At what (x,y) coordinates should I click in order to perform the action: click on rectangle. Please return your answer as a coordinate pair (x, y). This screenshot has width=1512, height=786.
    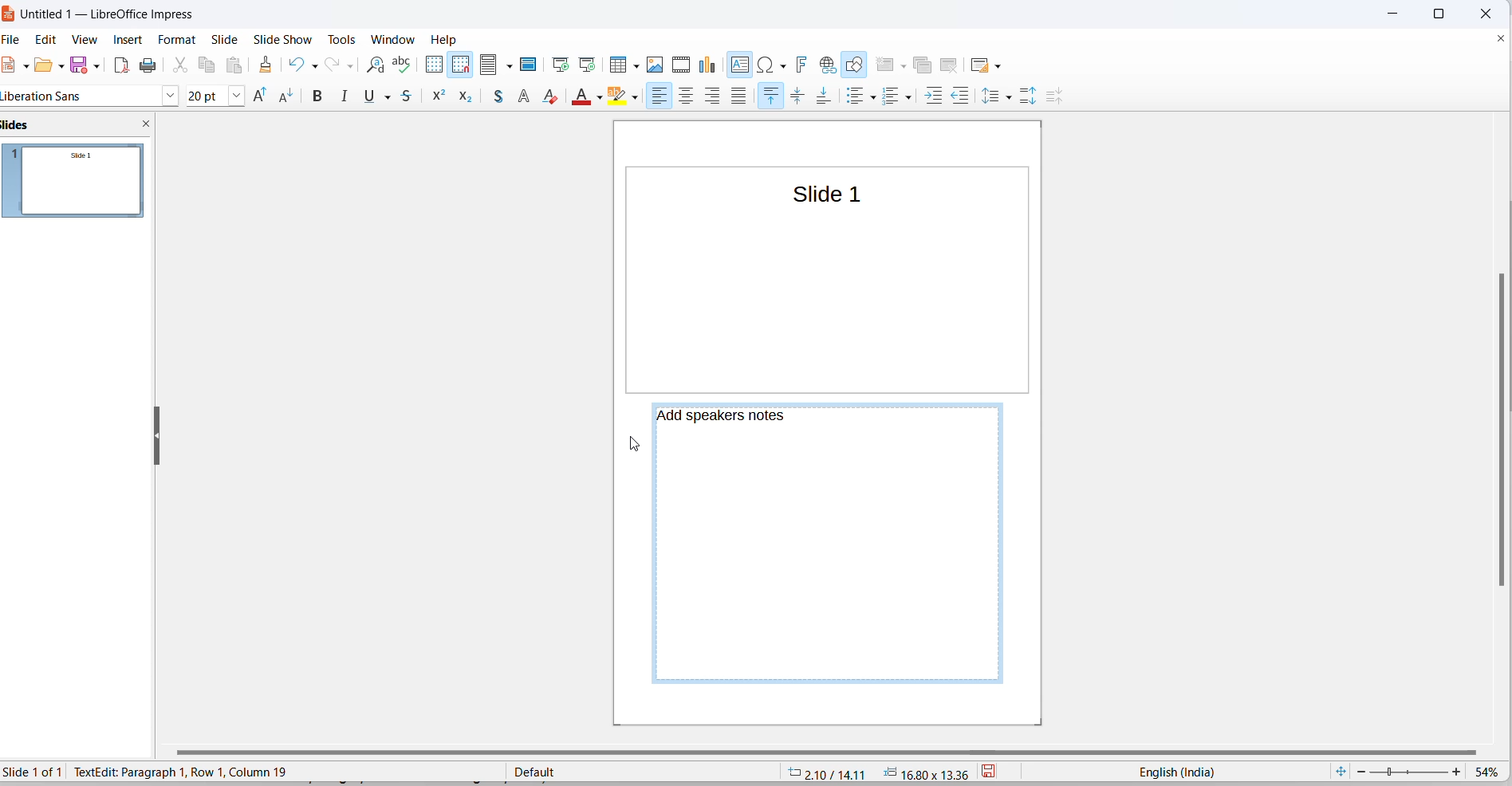
    Looking at the image, I should click on (175, 96).